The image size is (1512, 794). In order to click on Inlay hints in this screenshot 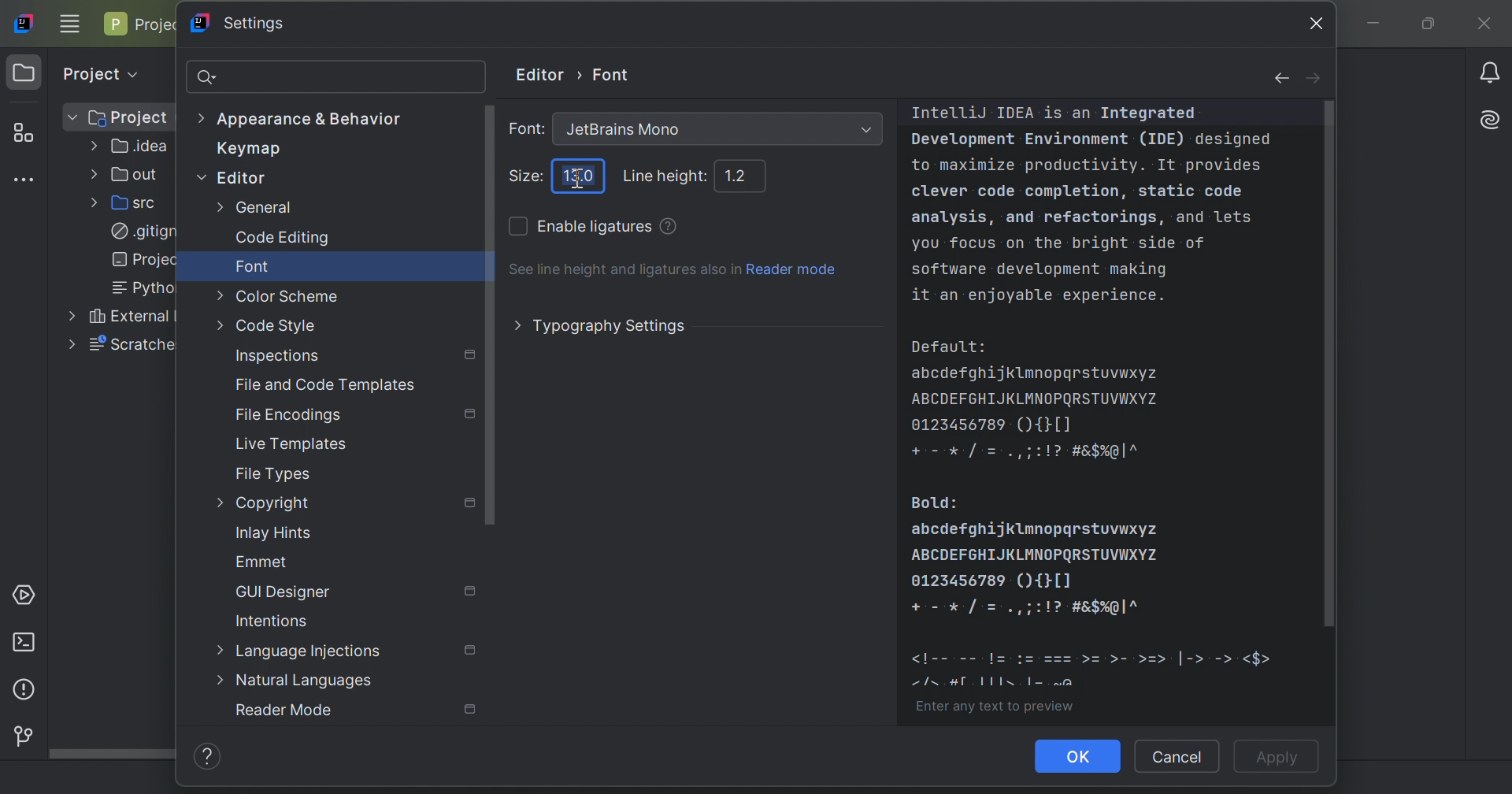, I will do `click(275, 532)`.